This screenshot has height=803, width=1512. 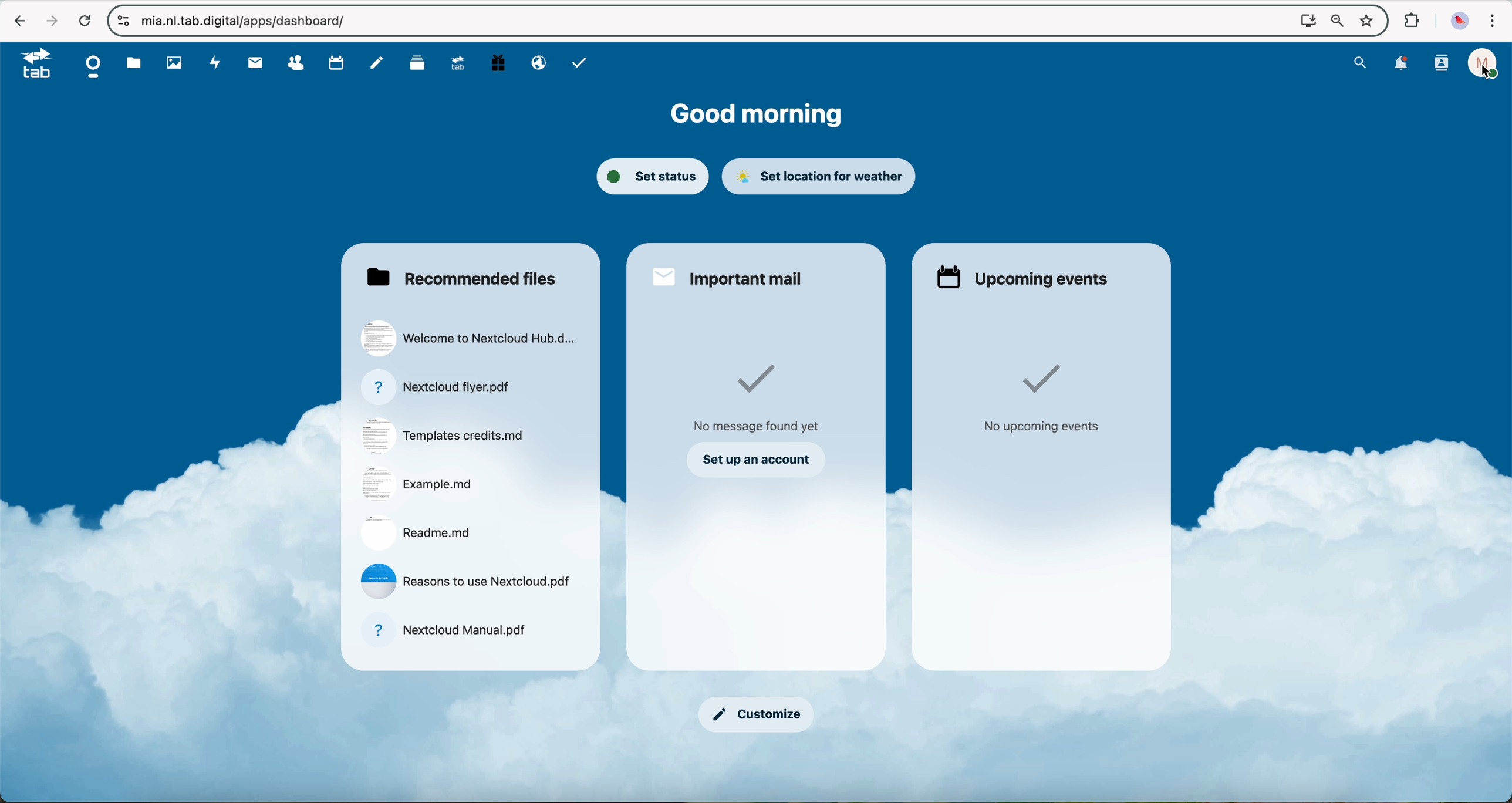 What do you see at coordinates (134, 63) in the screenshot?
I see `file` at bounding box center [134, 63].